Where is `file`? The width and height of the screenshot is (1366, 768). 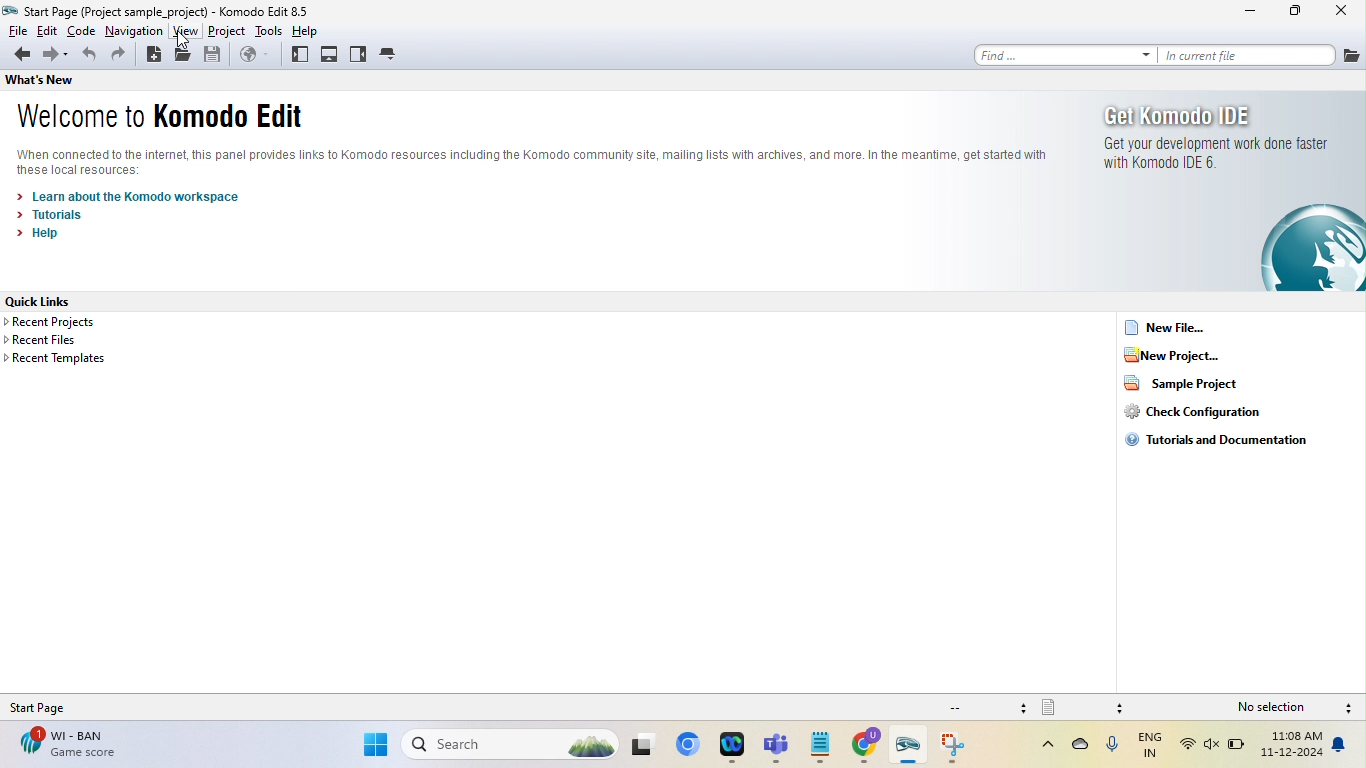
file is located at coordinates (15, 31).